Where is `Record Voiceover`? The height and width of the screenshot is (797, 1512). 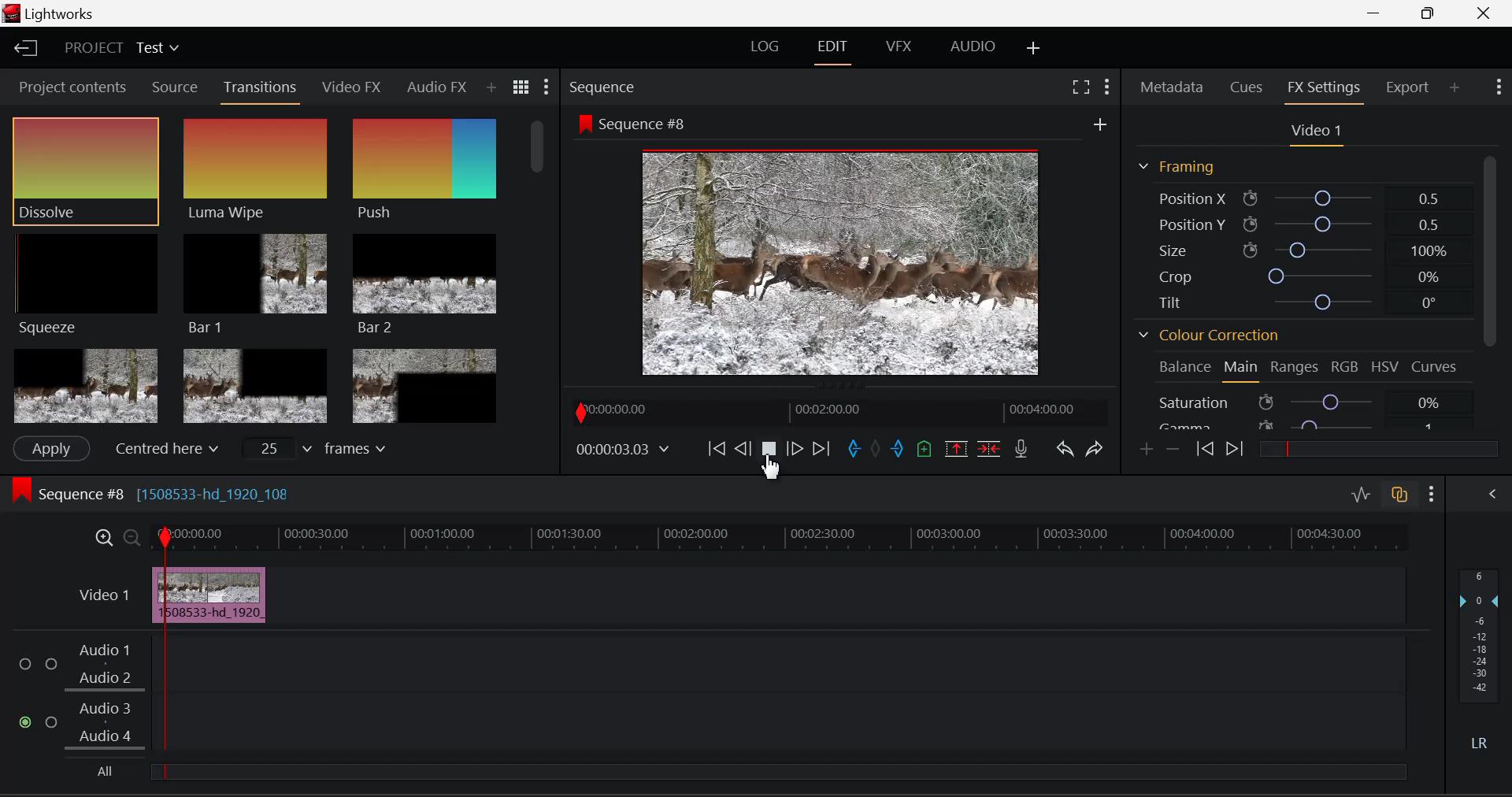 Record Voiceover is located at coordinates (1022, 449).